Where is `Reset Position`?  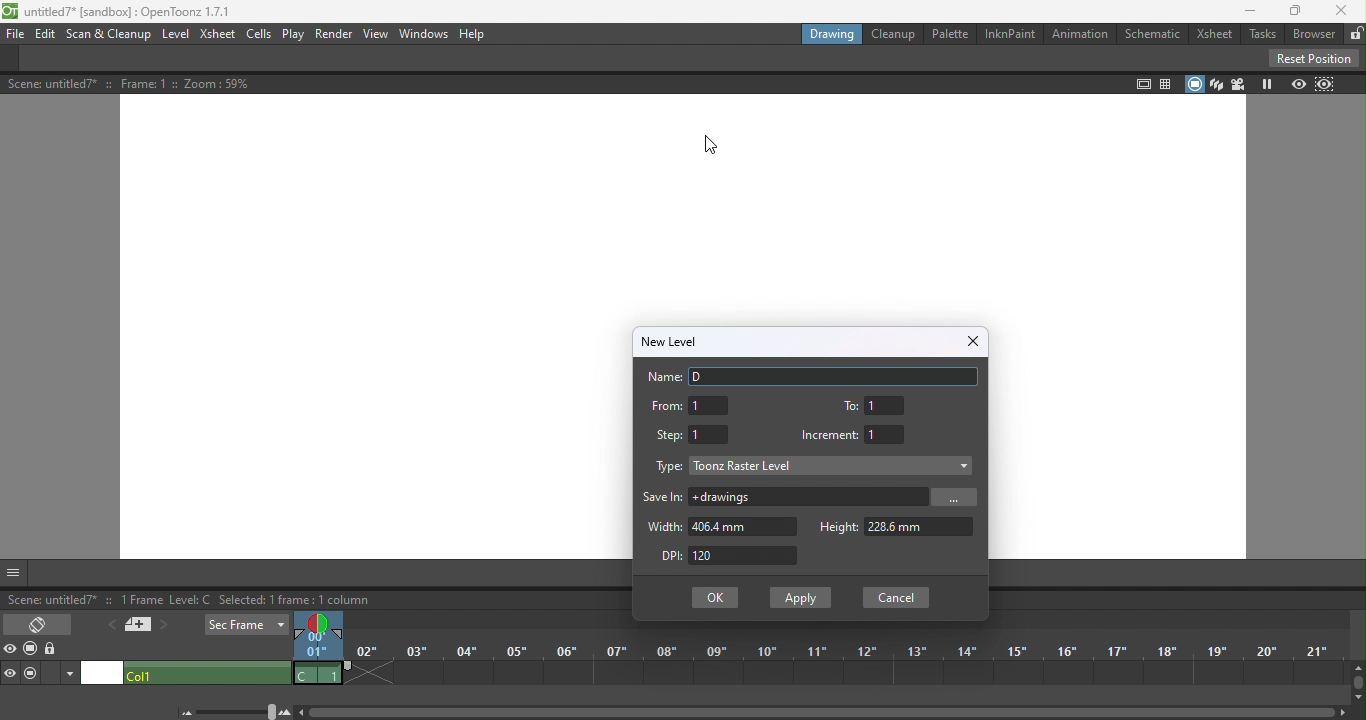
Reset Position is located at coordinates (1313, 58).